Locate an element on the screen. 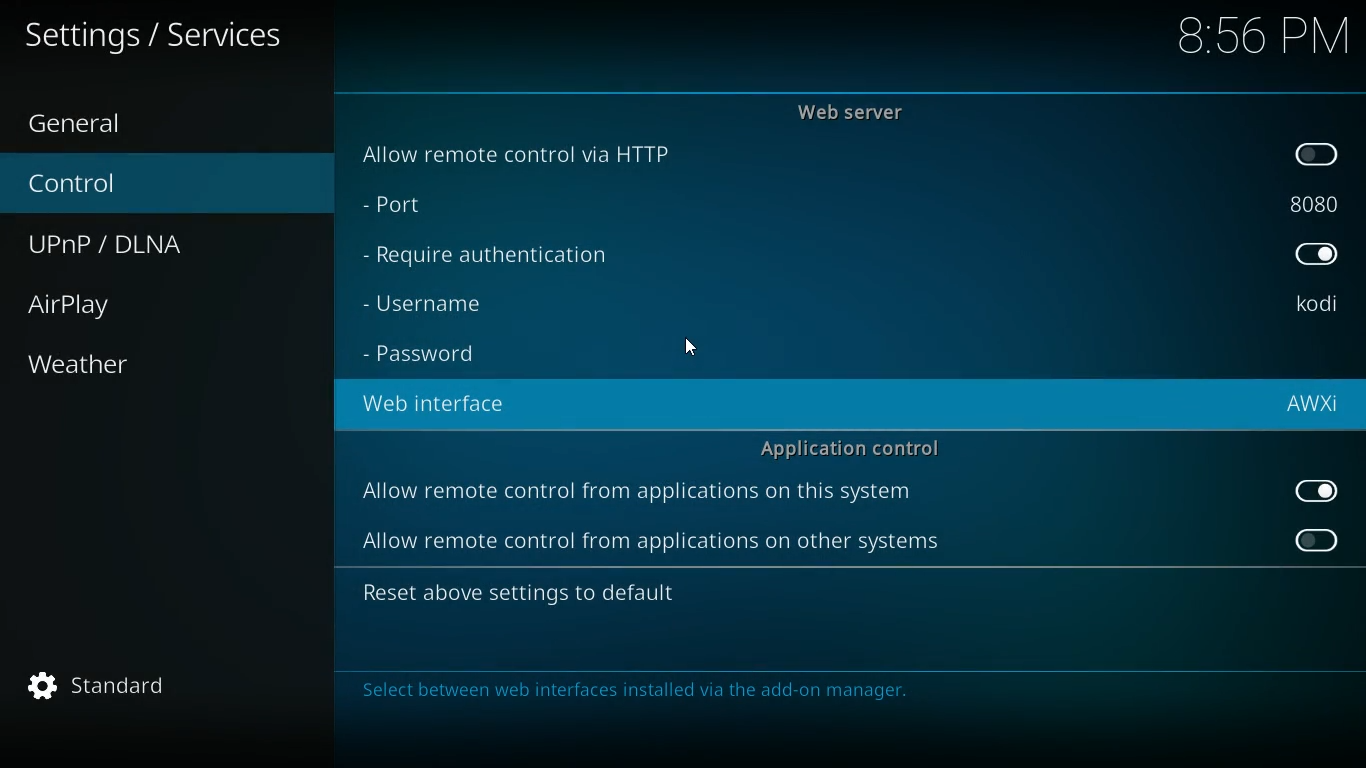  off is located at coordinates (1319, 155).